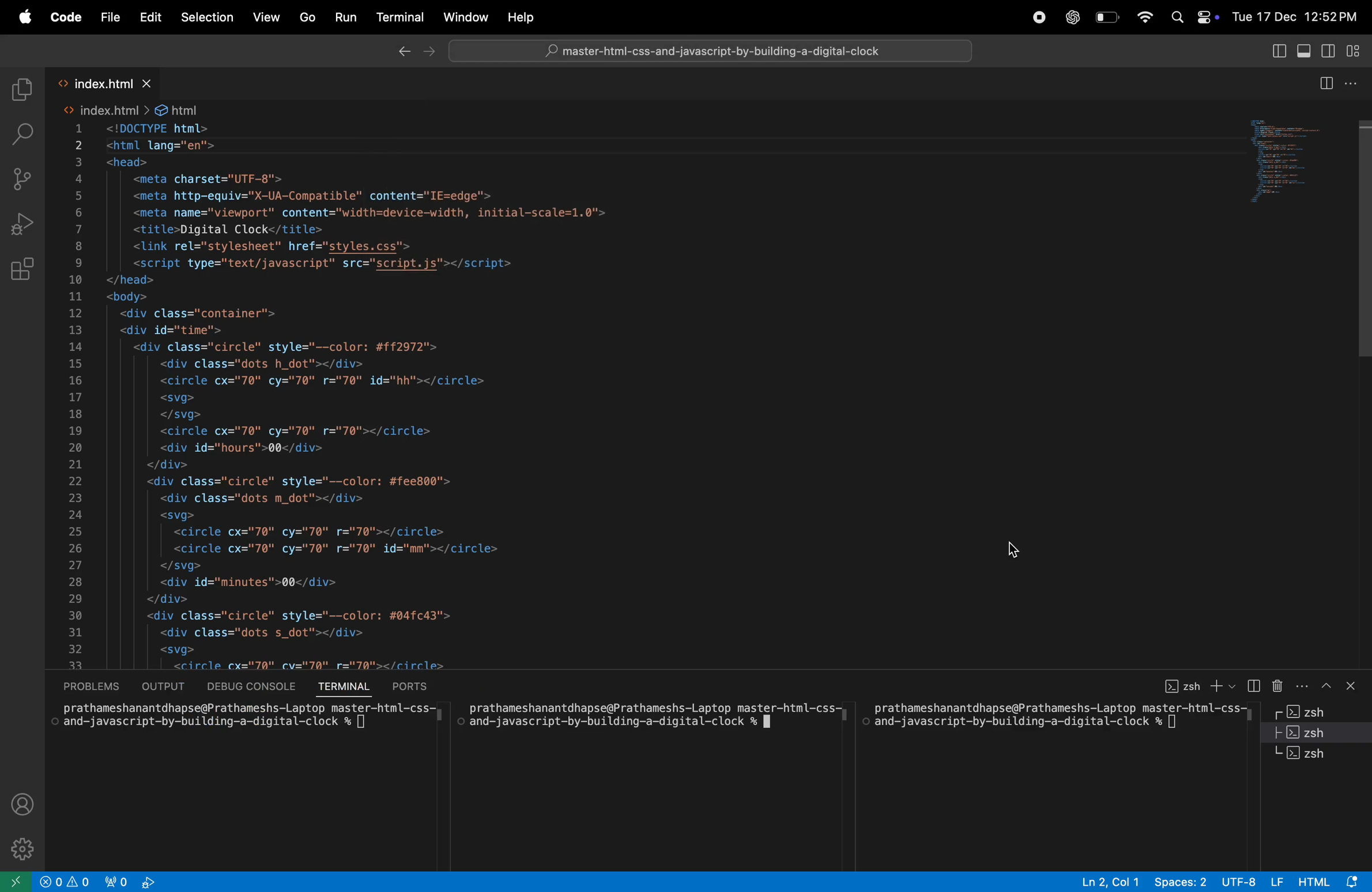  Describe the element at coordinates (267, 17) in the screenshot. I see `View` at that location.